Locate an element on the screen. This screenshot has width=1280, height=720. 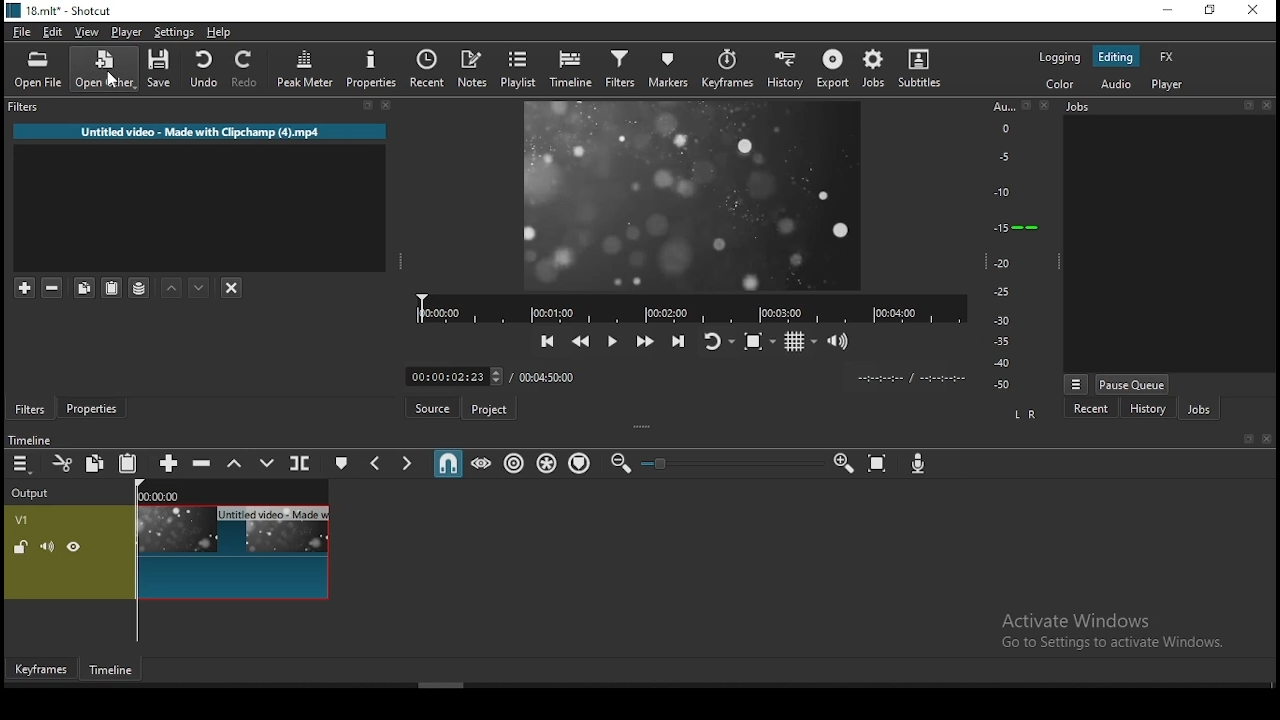
close window is located at coordinates (1254, 13).